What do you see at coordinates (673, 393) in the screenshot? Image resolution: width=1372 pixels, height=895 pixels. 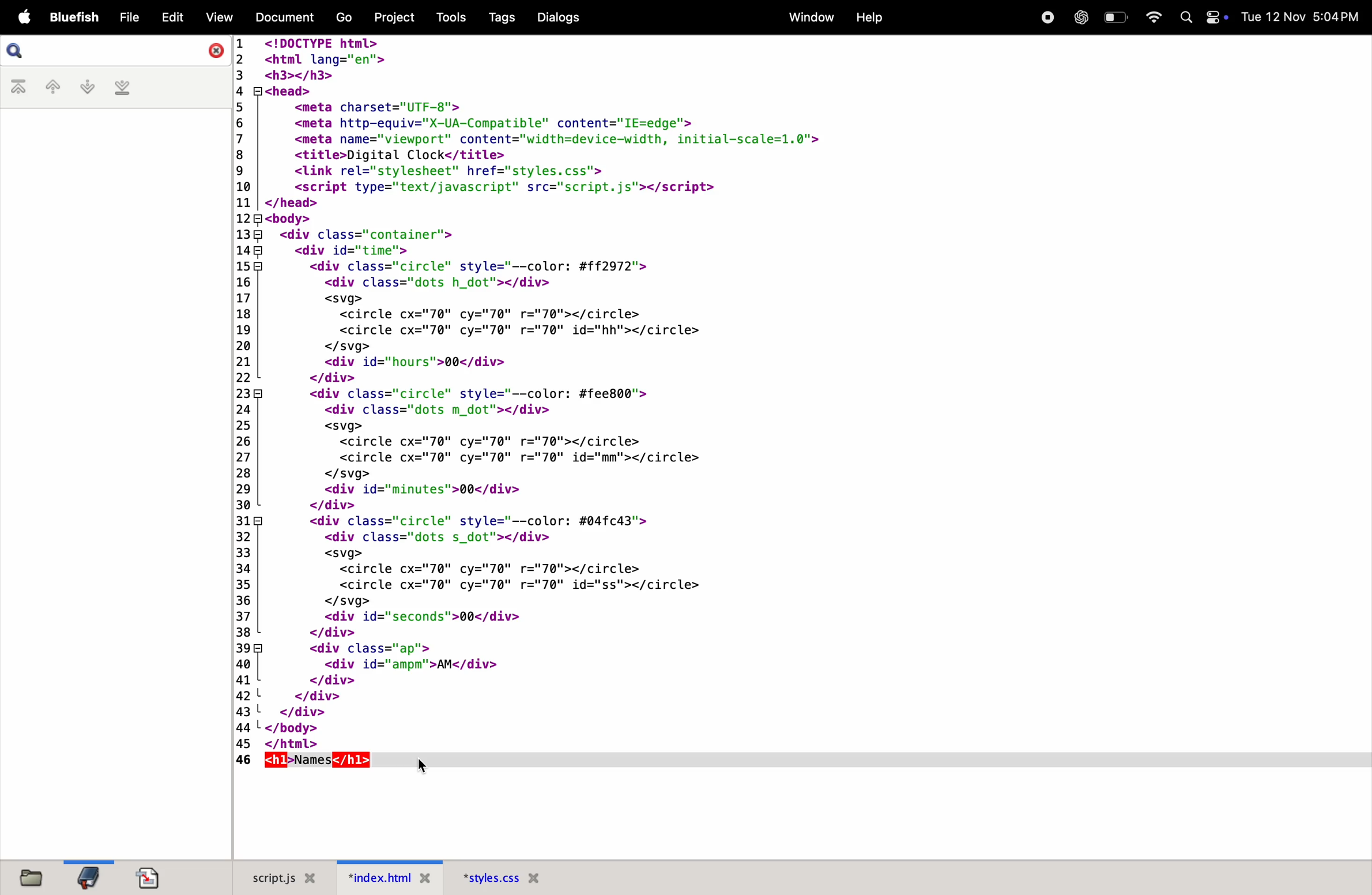 I see `code block` at bounding box center [673, 393].